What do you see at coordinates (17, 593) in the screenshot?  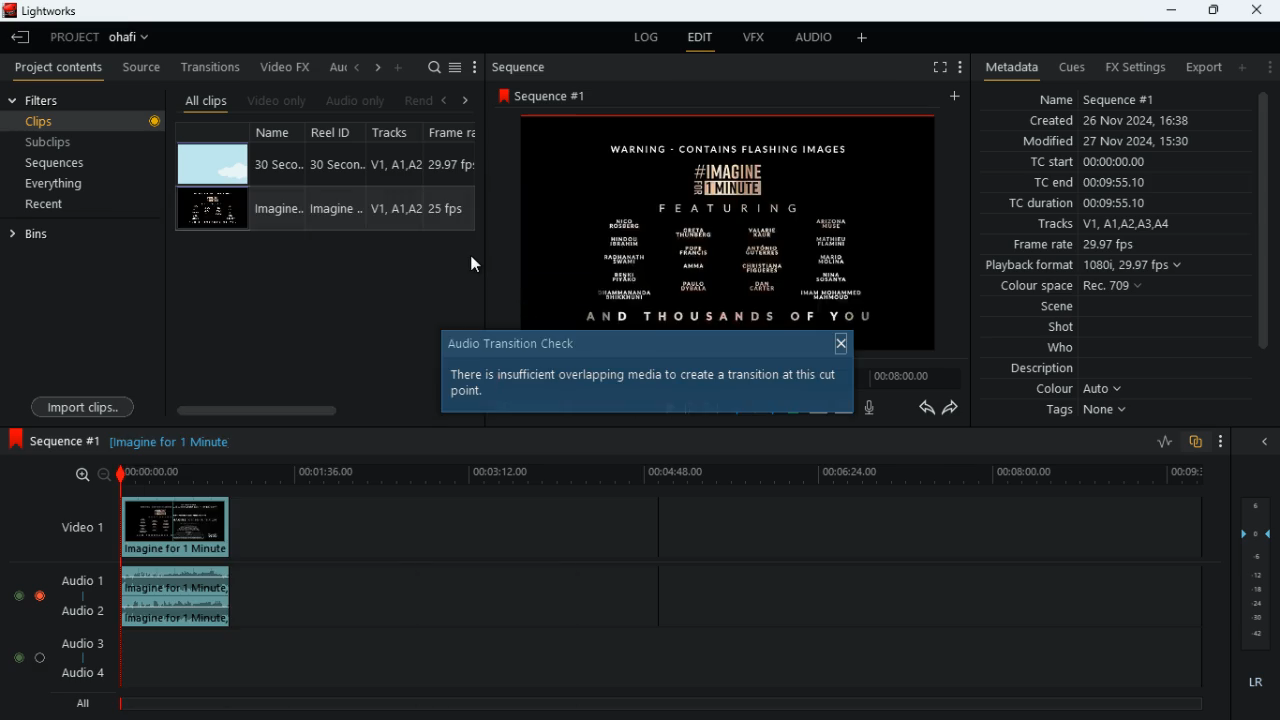 I see `toggle` at bounding box center [17, 593].